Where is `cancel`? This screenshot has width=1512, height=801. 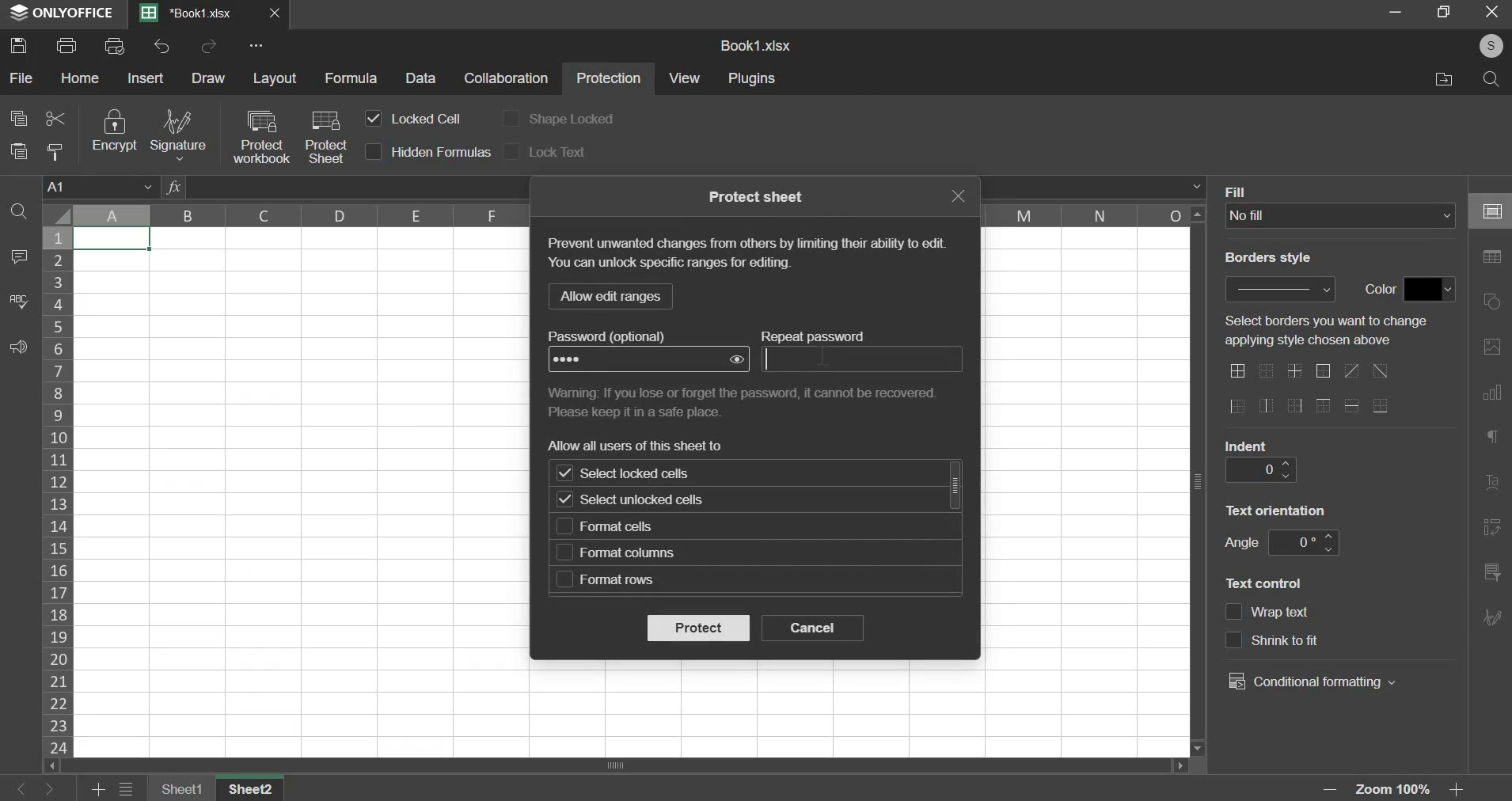 cancel is located at coordinates (813, 628).